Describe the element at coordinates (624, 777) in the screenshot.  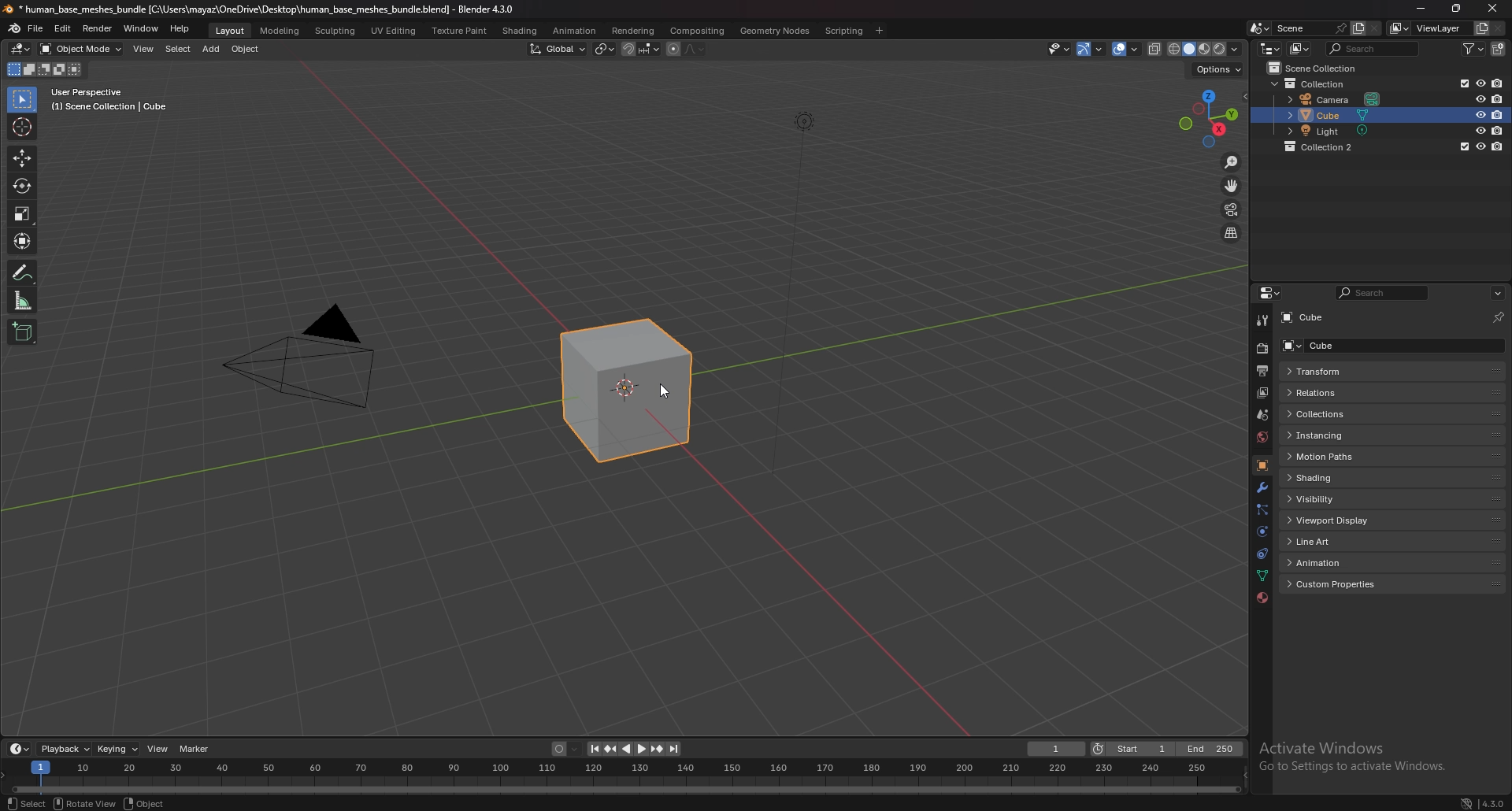
I see `seek` at that location.